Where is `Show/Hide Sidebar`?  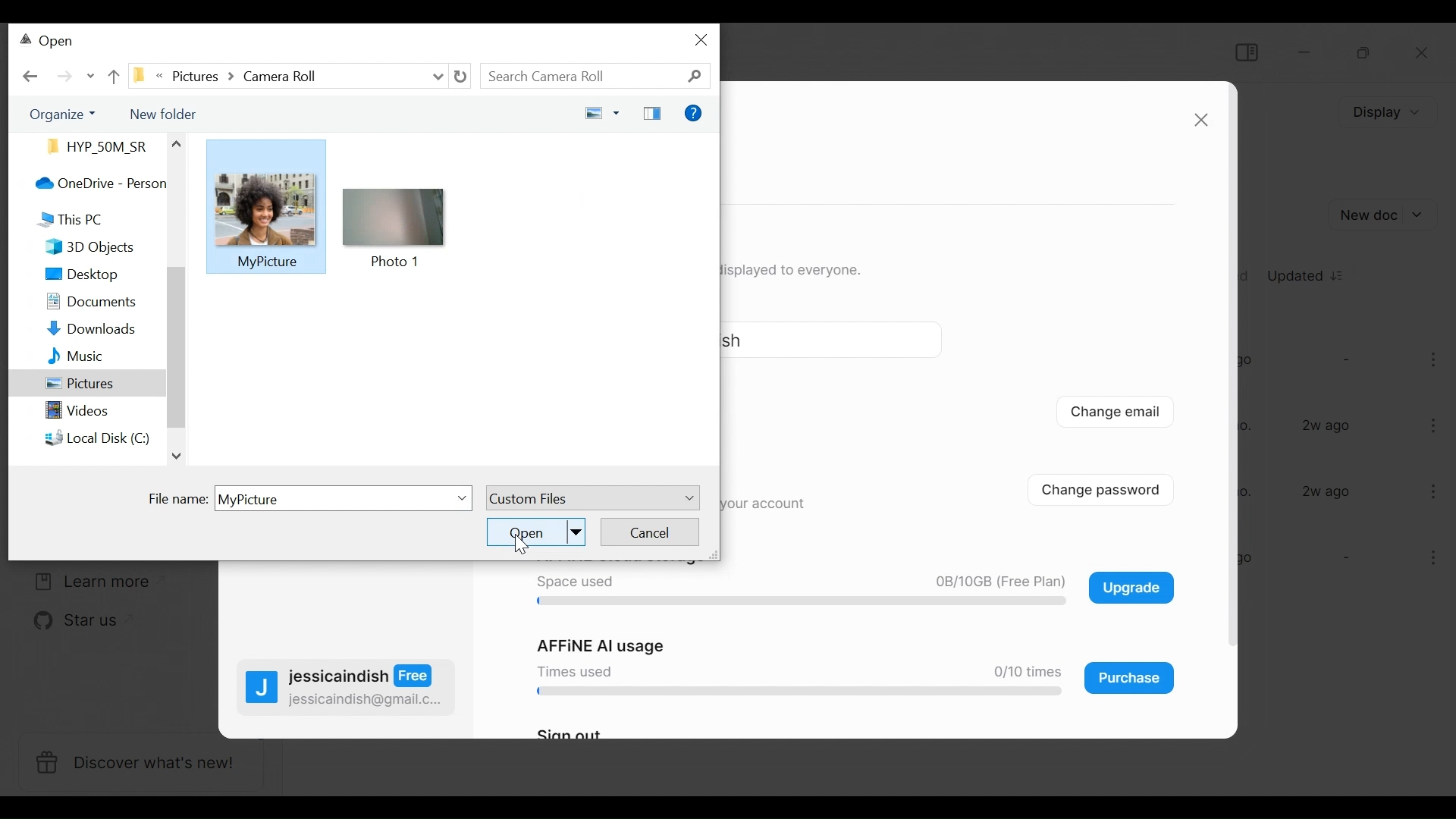
Show/Hide Sidebar is located at coordinates (1245, 52).